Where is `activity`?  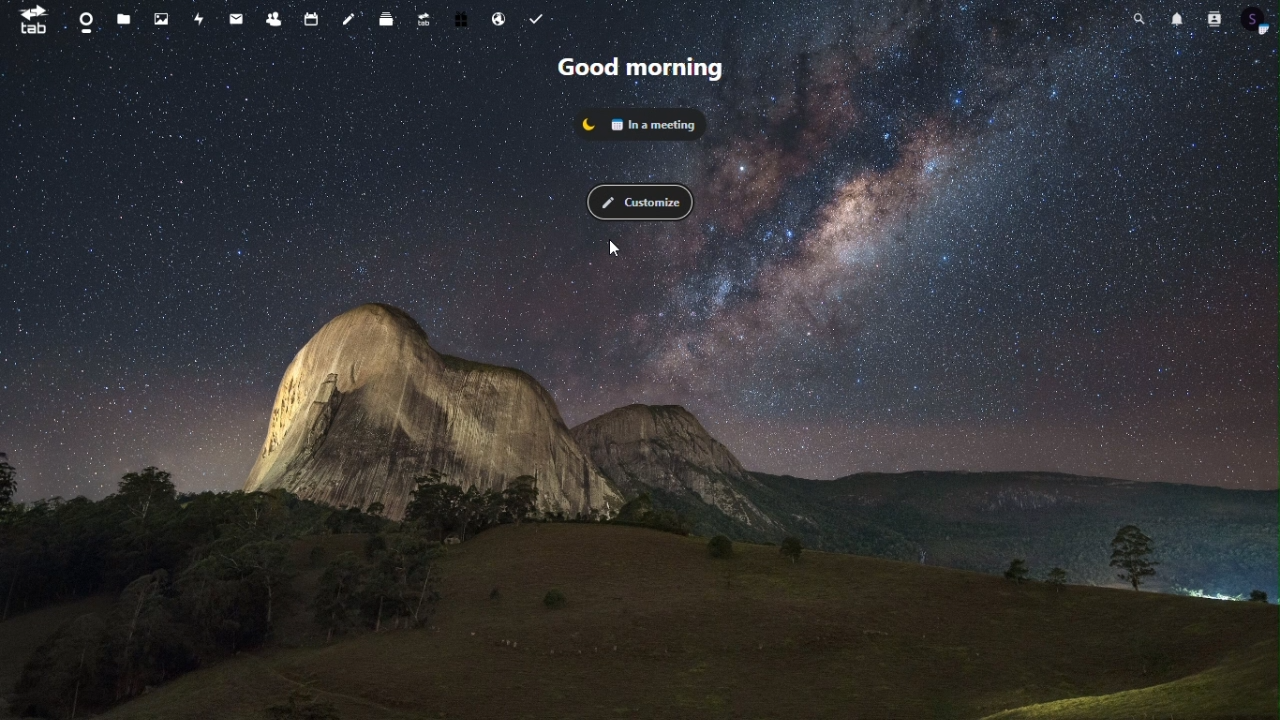
activity is located at coordinates (200, 21).